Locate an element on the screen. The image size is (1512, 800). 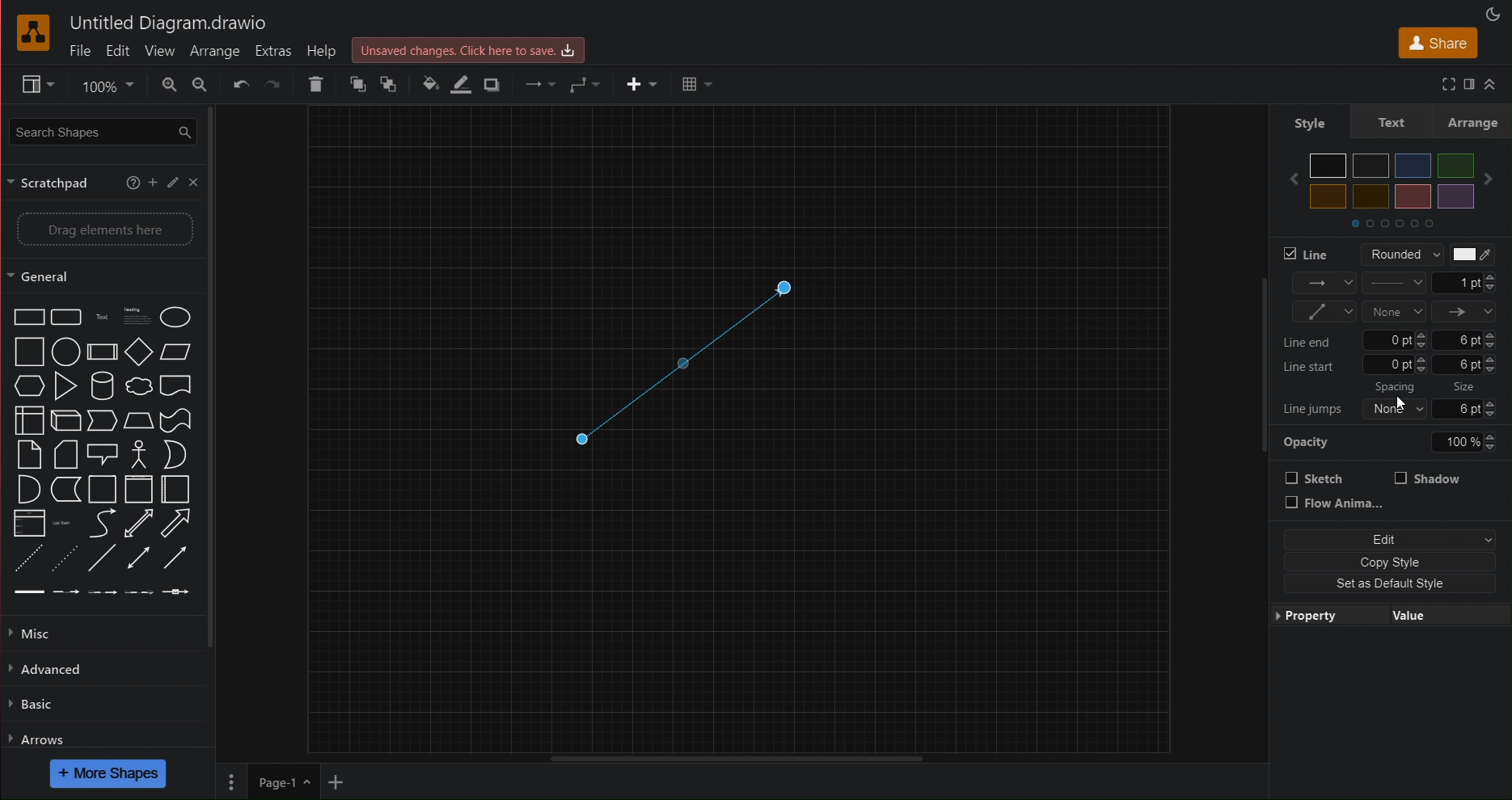
Unsaved changes. Click here to save is located at coordinates (469, 51).